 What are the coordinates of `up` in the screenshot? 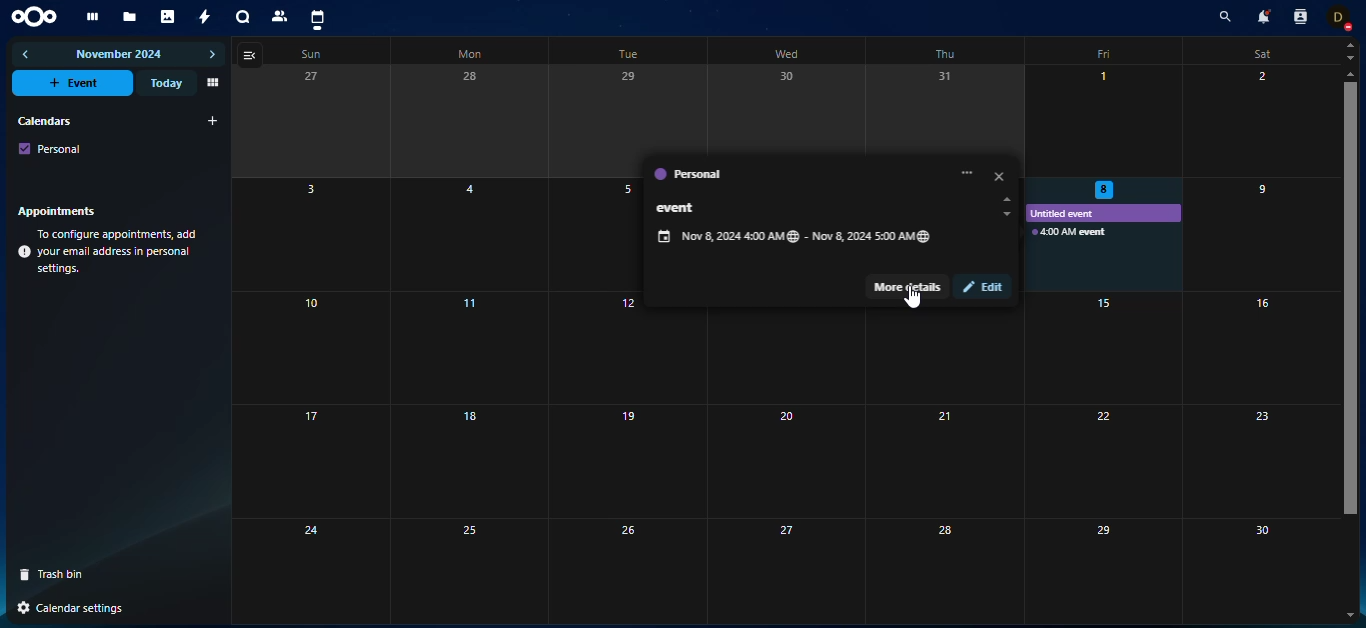 It's located at (1009, 199).